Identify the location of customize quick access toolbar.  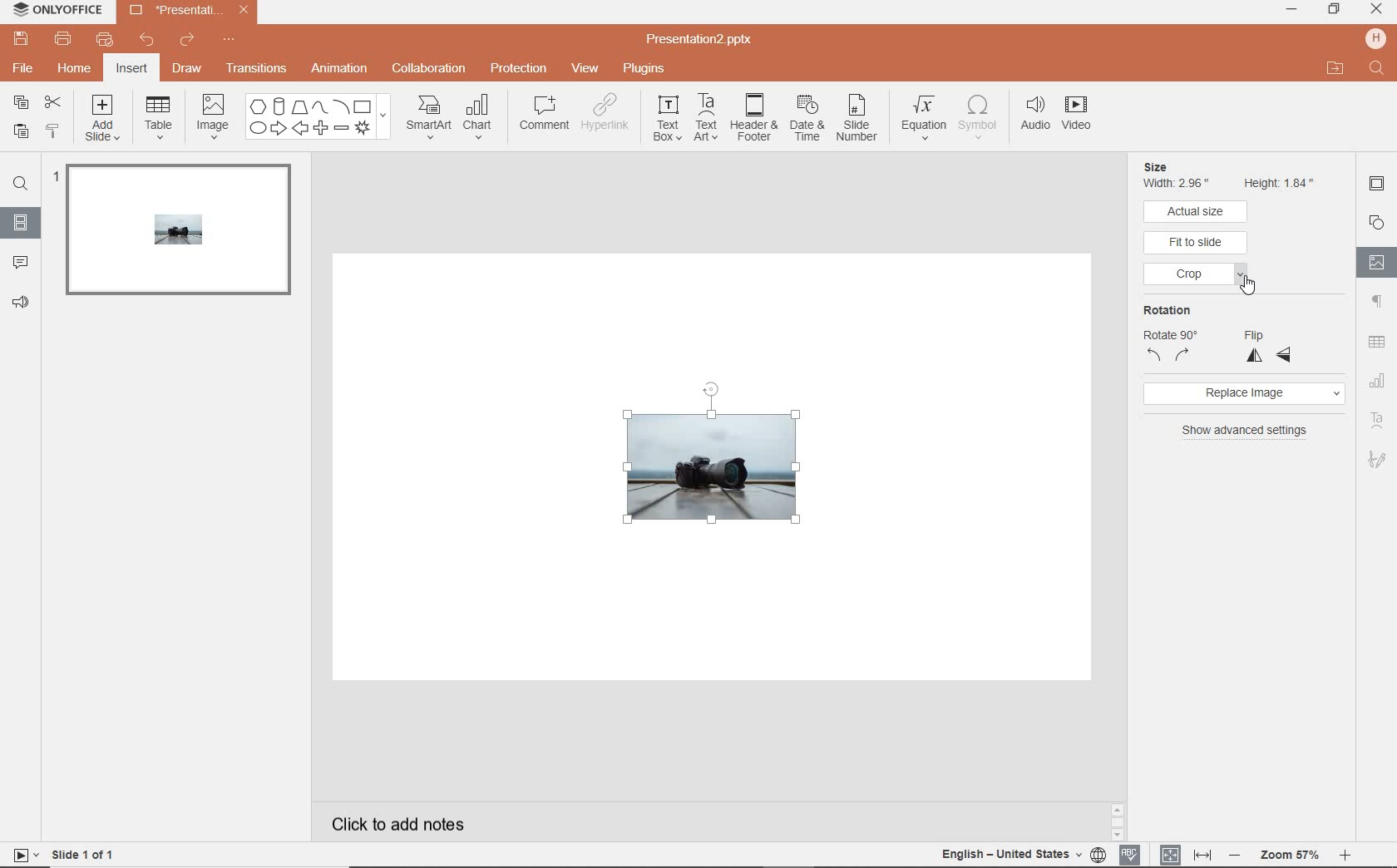
(239, 42).